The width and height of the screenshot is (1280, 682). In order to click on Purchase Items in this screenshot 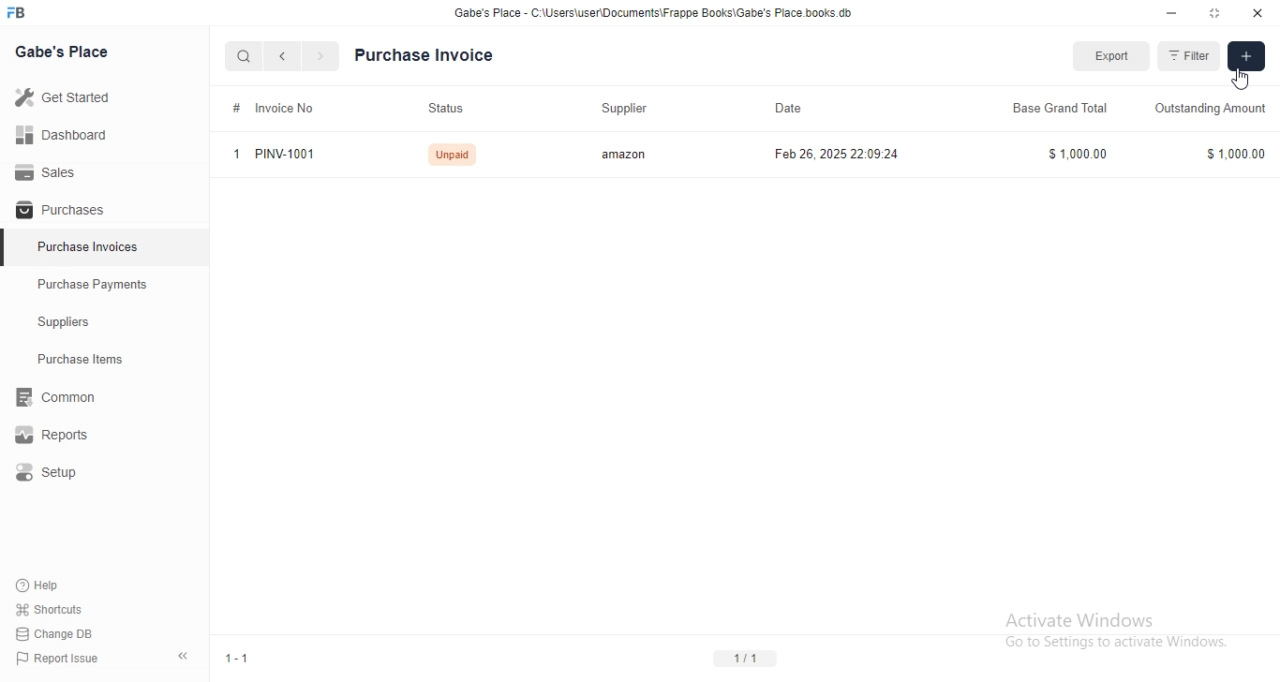, I will do `click(105, 359)`.